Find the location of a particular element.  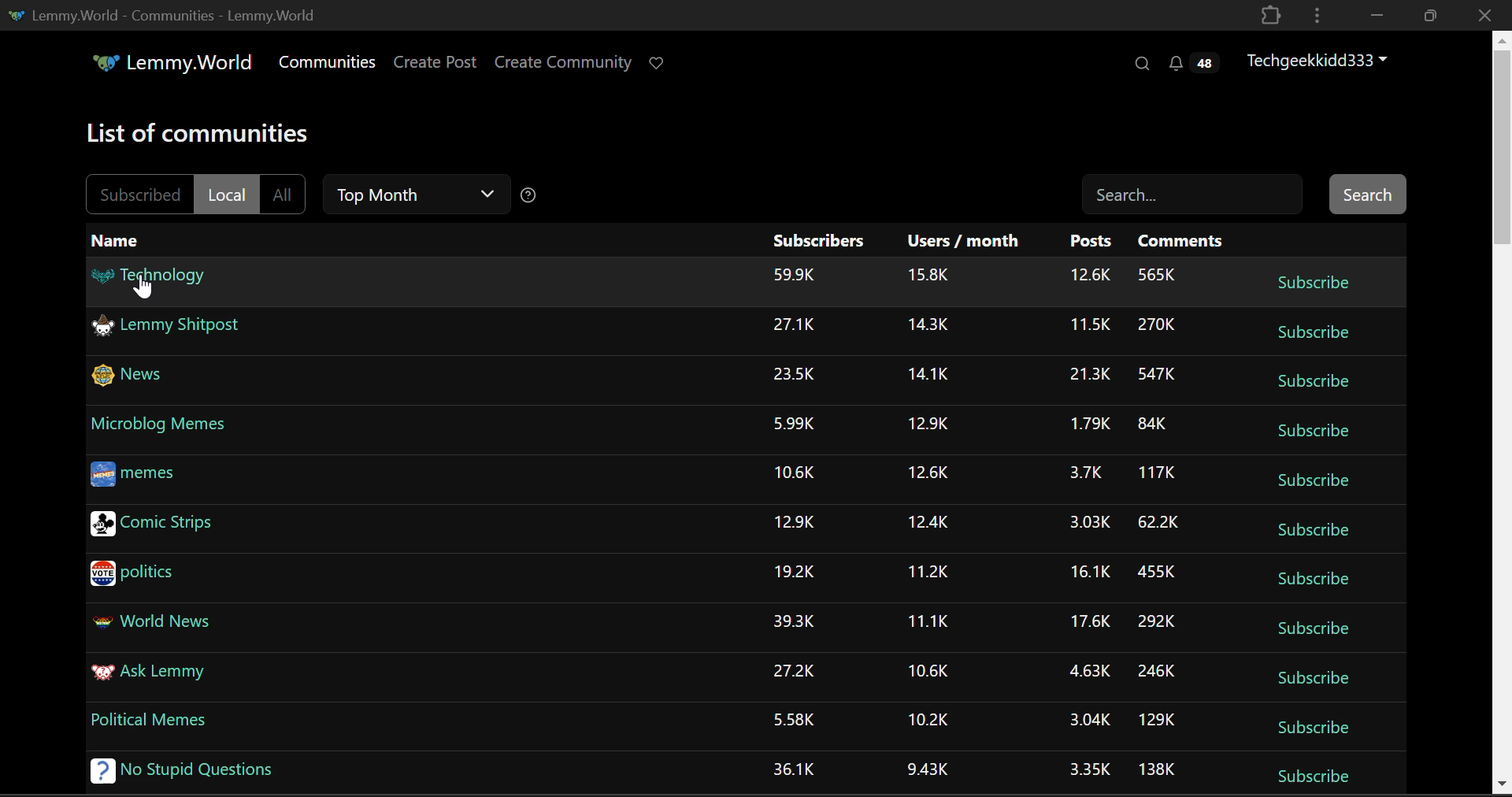

Comic Strips is located at coordinates (153, 525).